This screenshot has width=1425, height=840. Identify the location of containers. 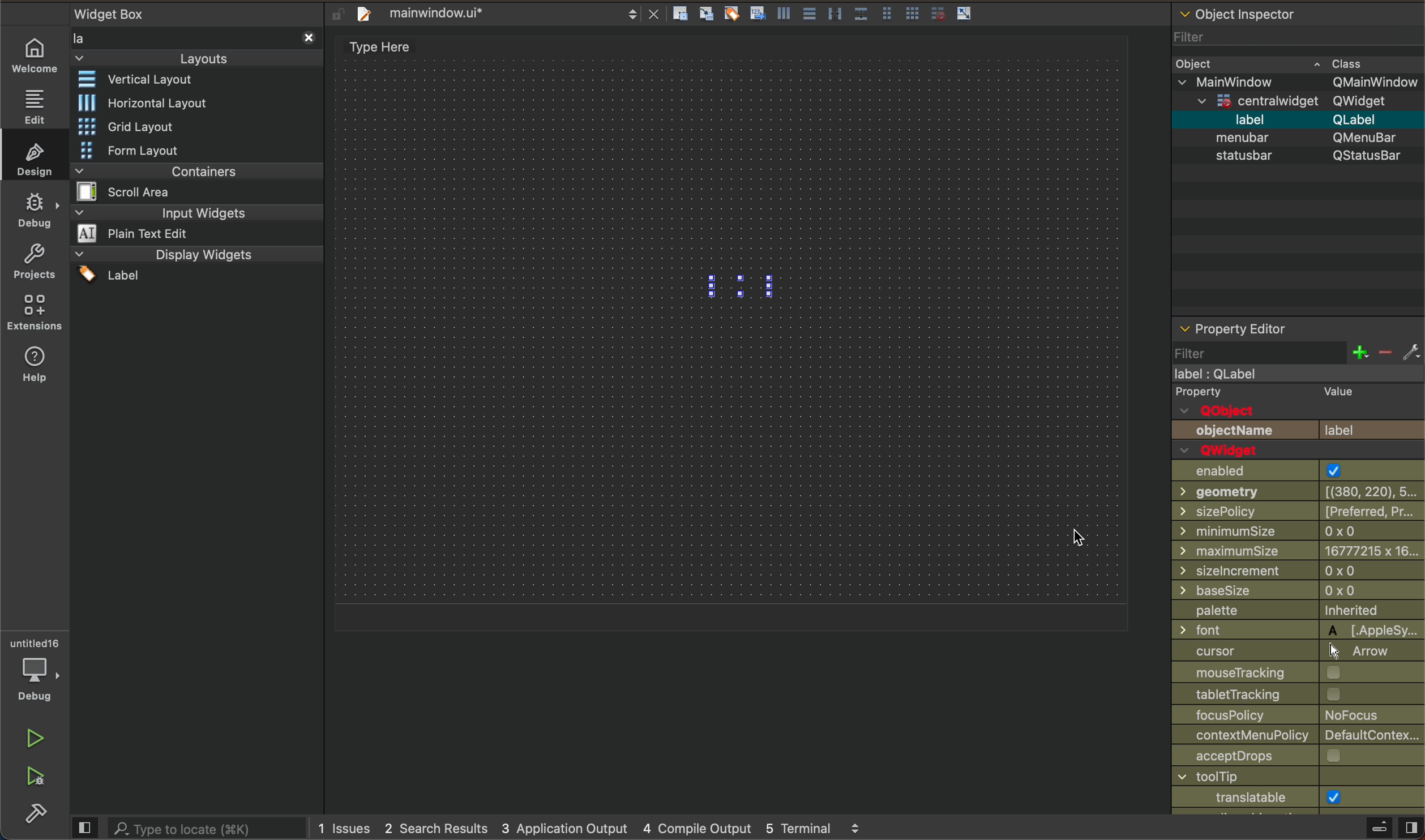
(190, 170).